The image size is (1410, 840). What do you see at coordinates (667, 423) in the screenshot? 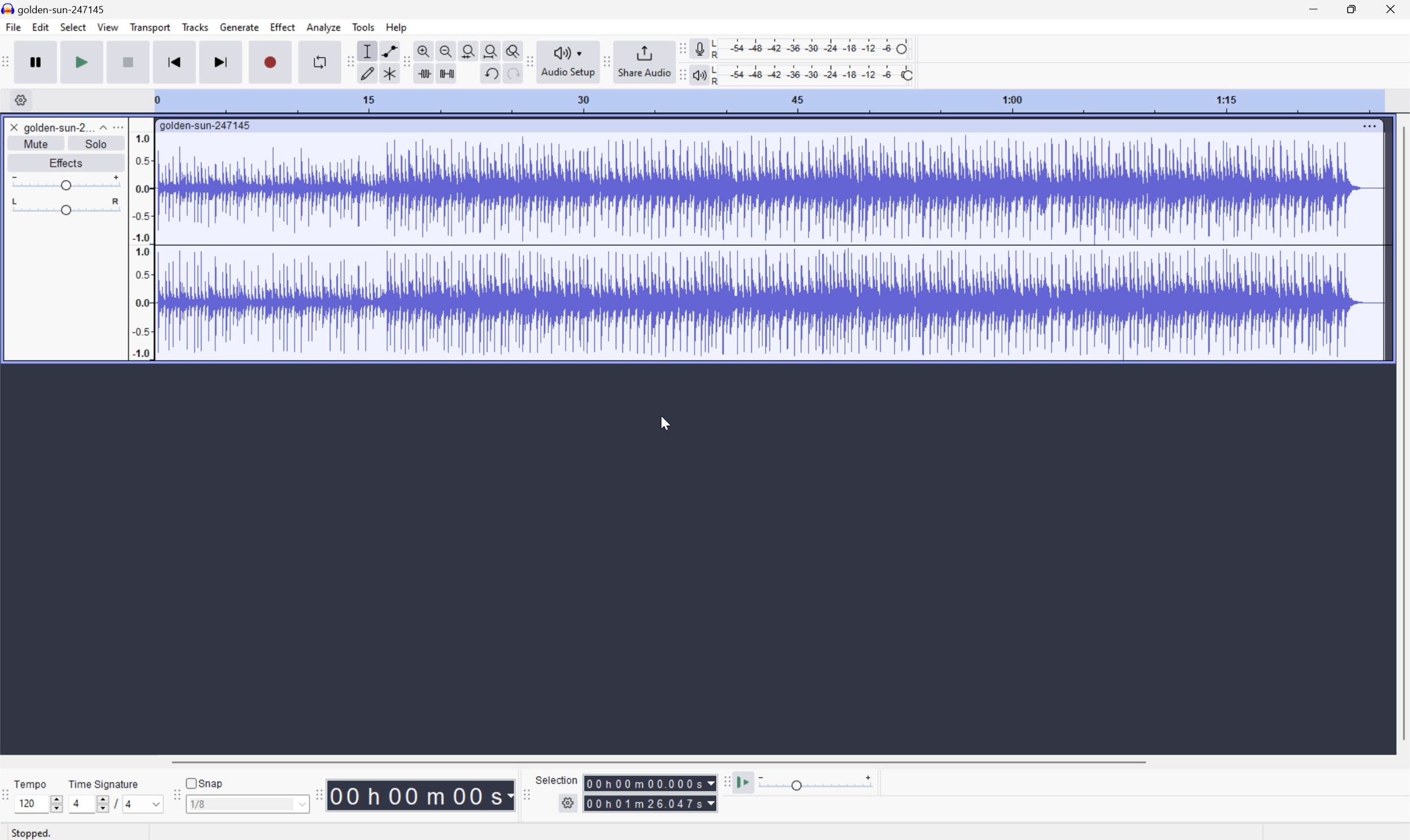
I see `Cursor` at bounding box center [667, 423].